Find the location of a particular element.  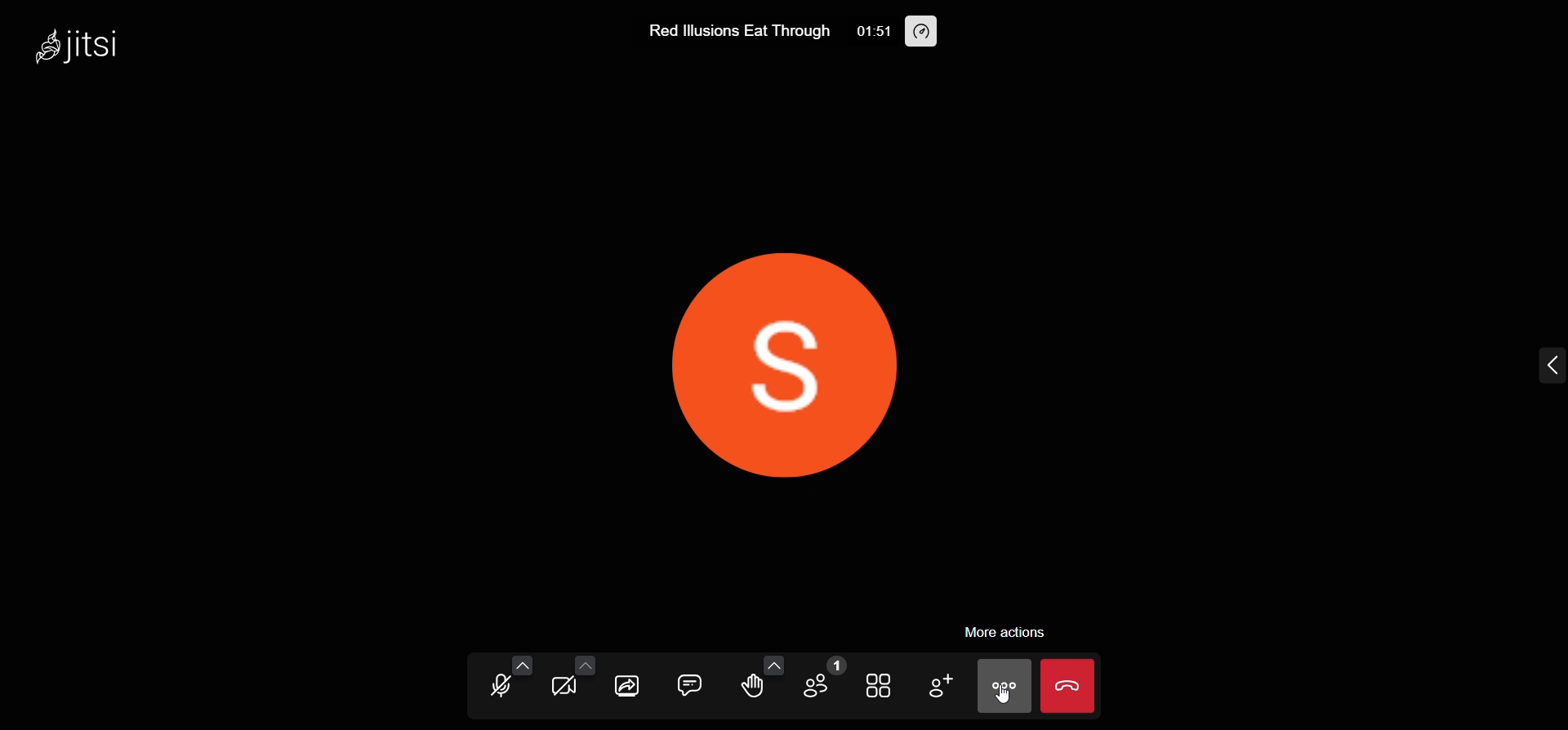

participants is located at coordinates (818, 681).